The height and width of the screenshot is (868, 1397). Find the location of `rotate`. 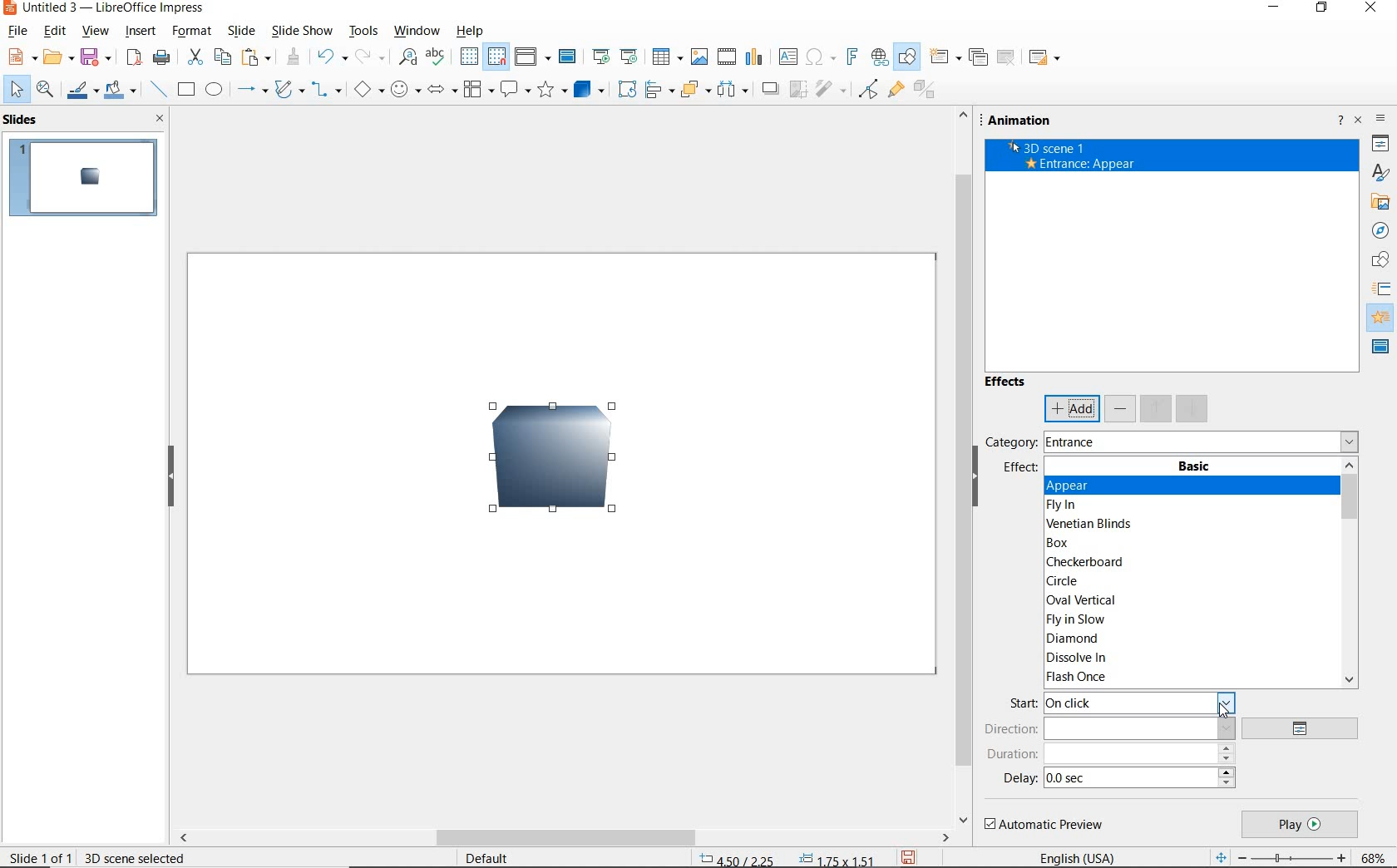

rotate is located at coordinates (629, 89).